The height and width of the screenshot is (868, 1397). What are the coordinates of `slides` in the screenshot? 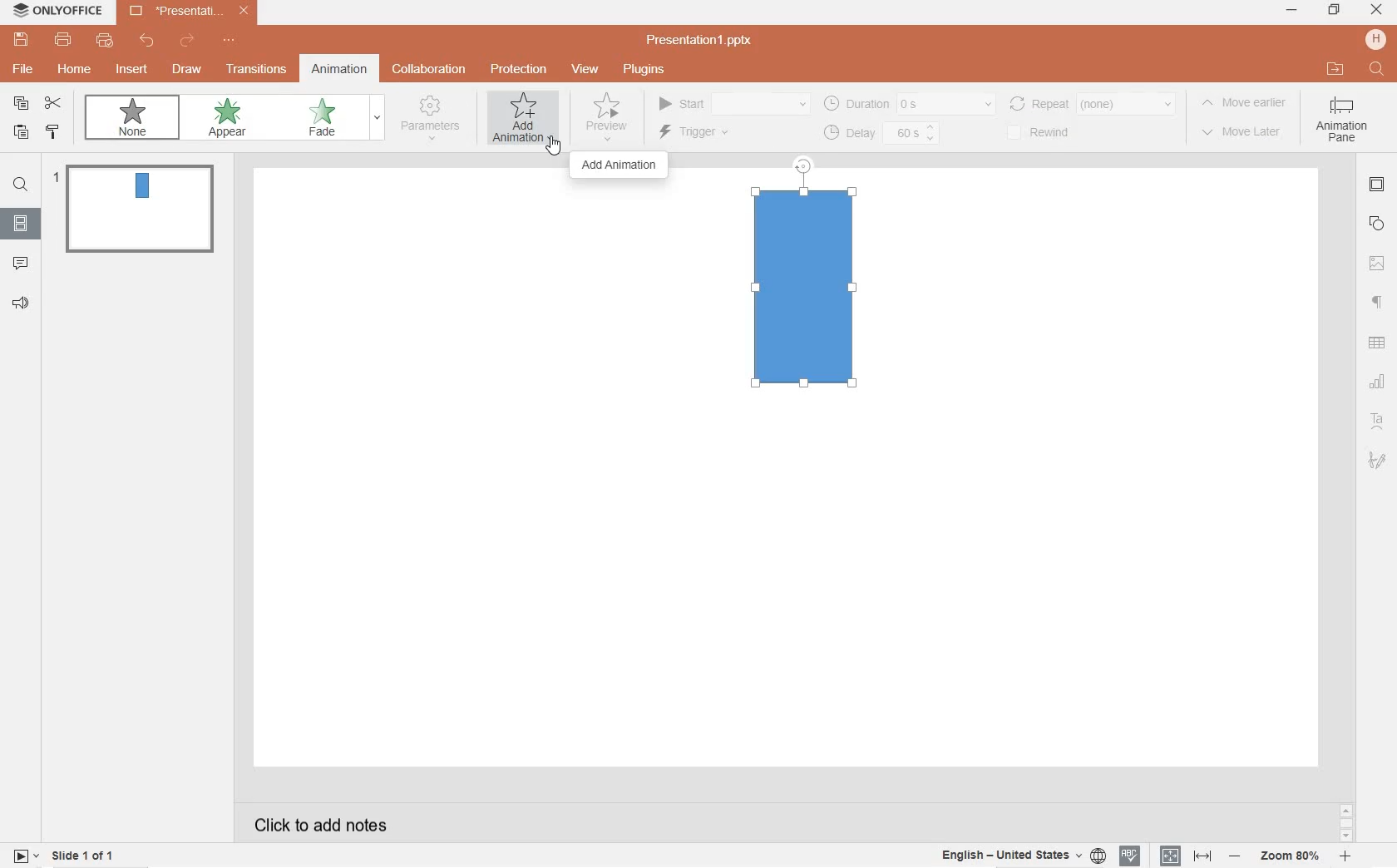 It's located at (20, 220).